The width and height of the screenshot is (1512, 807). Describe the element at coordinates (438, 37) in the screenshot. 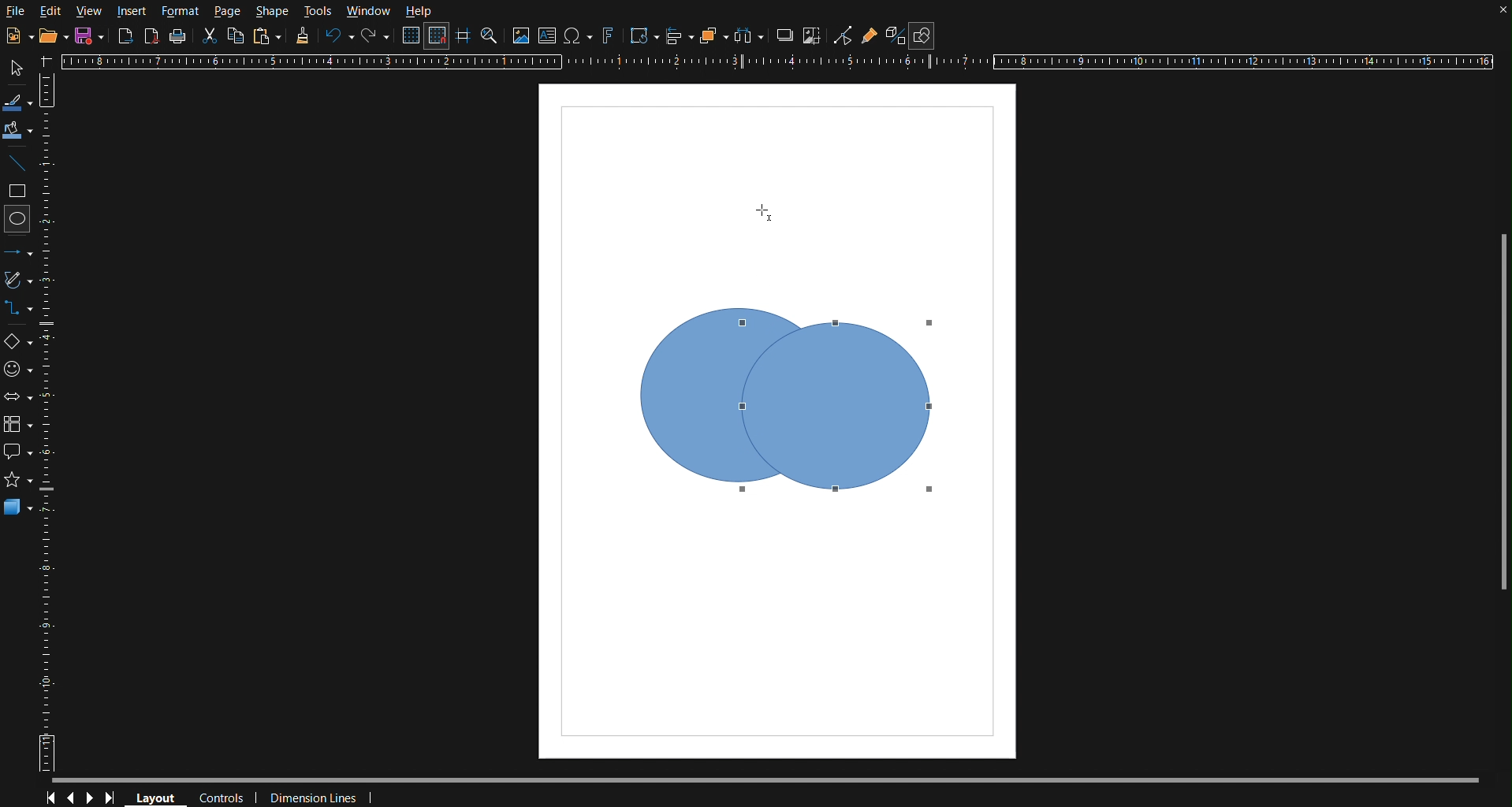

I see `Snap to Grid` at that location.